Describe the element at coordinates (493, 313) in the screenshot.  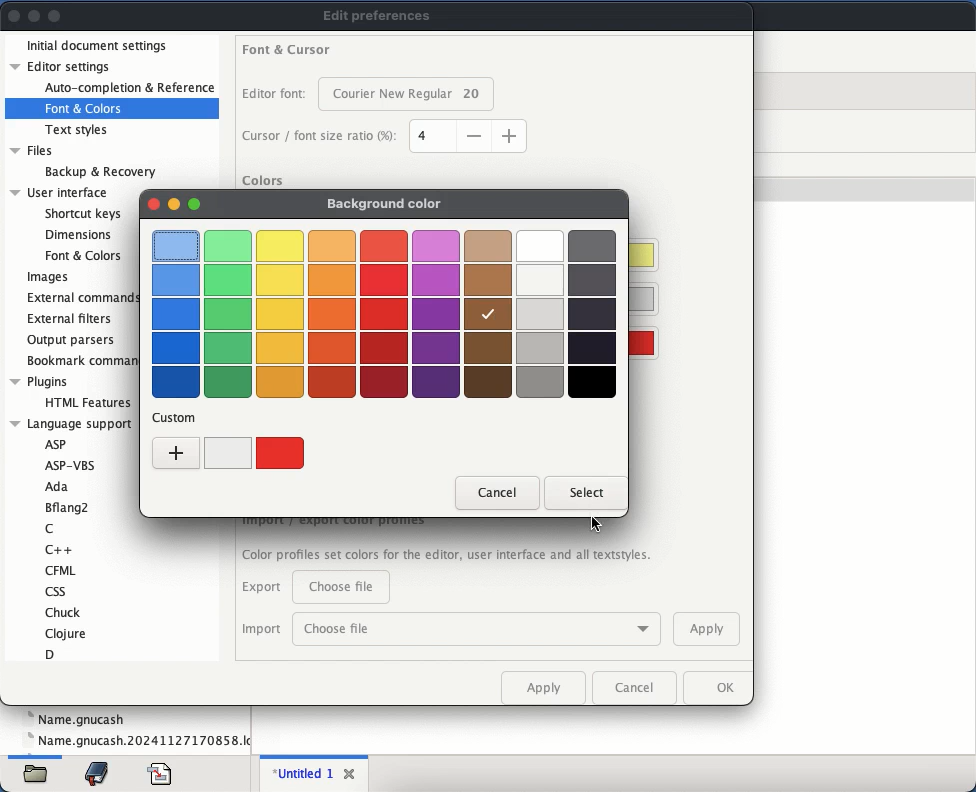
I see `selected` at that location.